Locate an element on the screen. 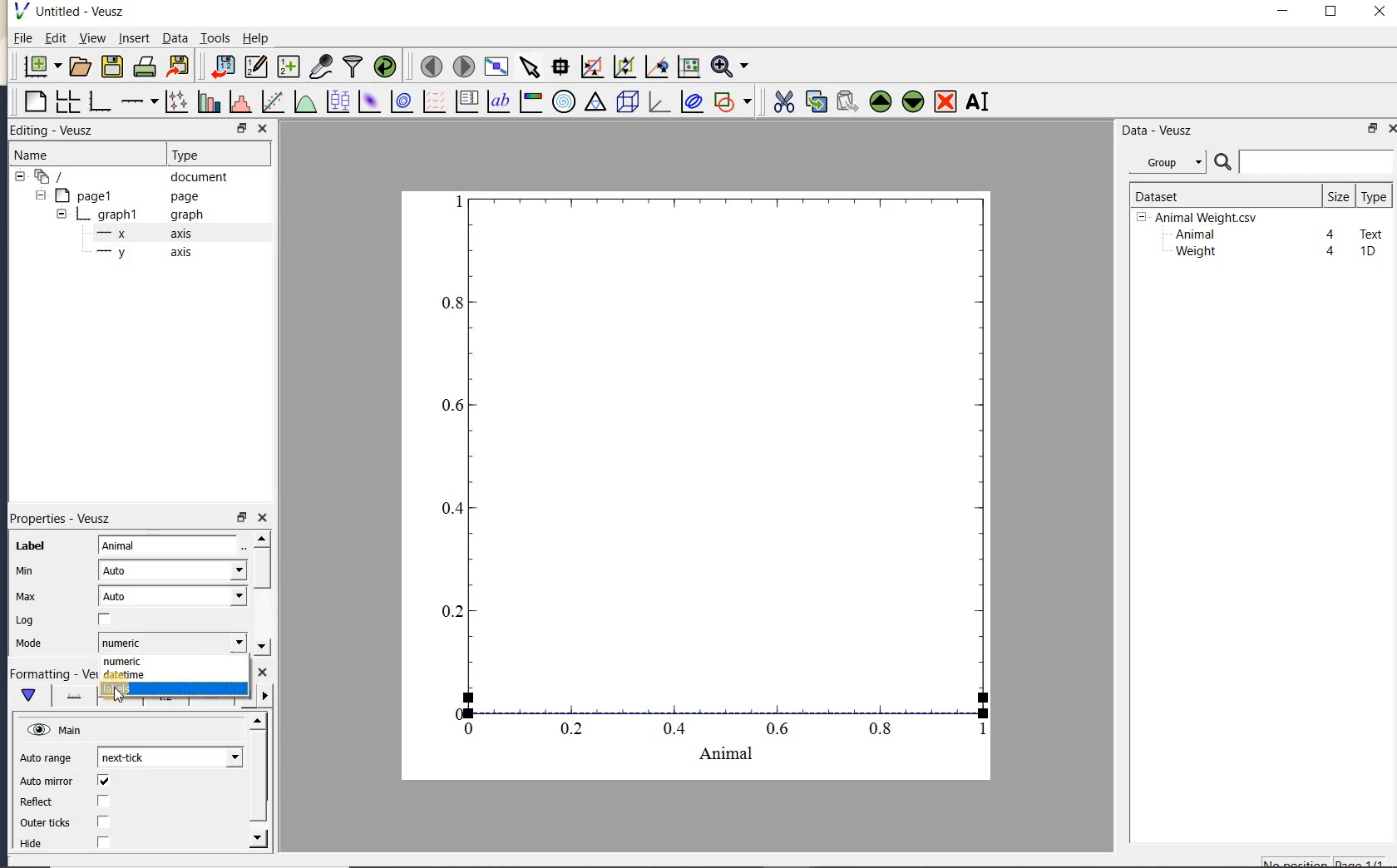 The image size is (1397, 868). Dataset is located at coordinates (1218, 195).